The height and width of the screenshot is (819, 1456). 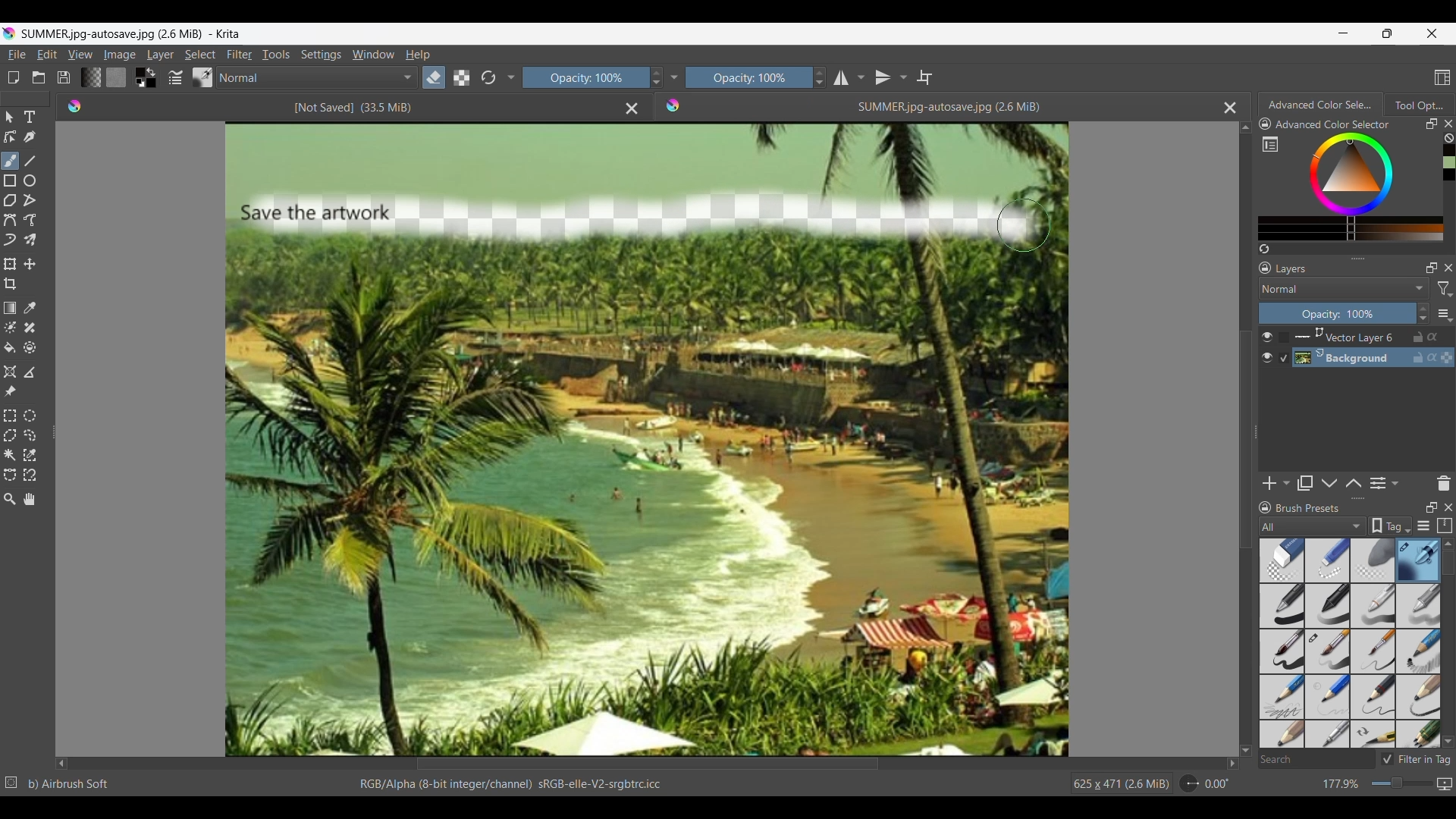 What do you see at coordinates (152, 83) in the screenshot?
I see `Background color` at bounding box center [152, 83].